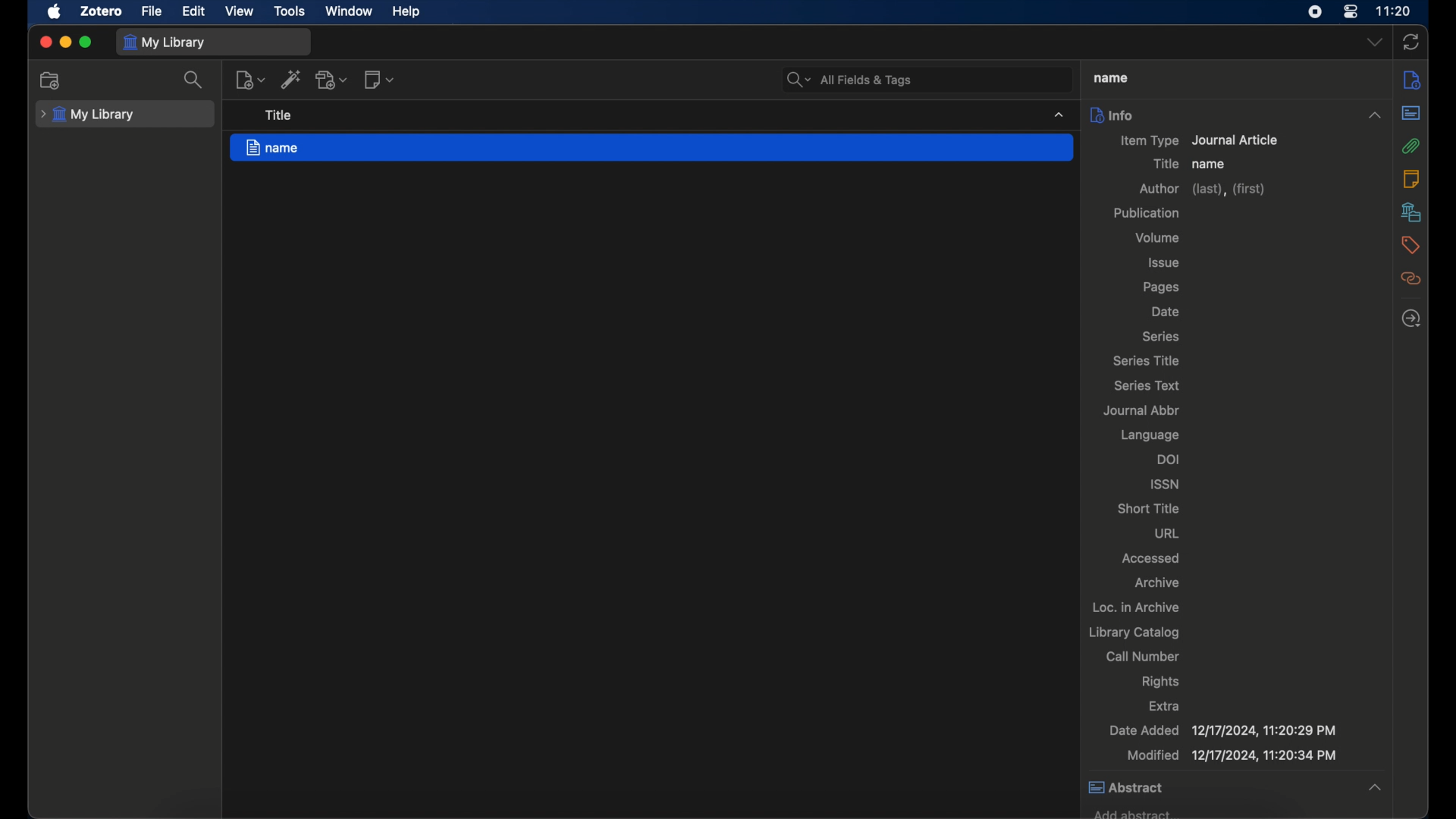  What do you see at coordinates (1147, 362) in the screenshot?
I see `series title` at bounding box center [1147, 362].